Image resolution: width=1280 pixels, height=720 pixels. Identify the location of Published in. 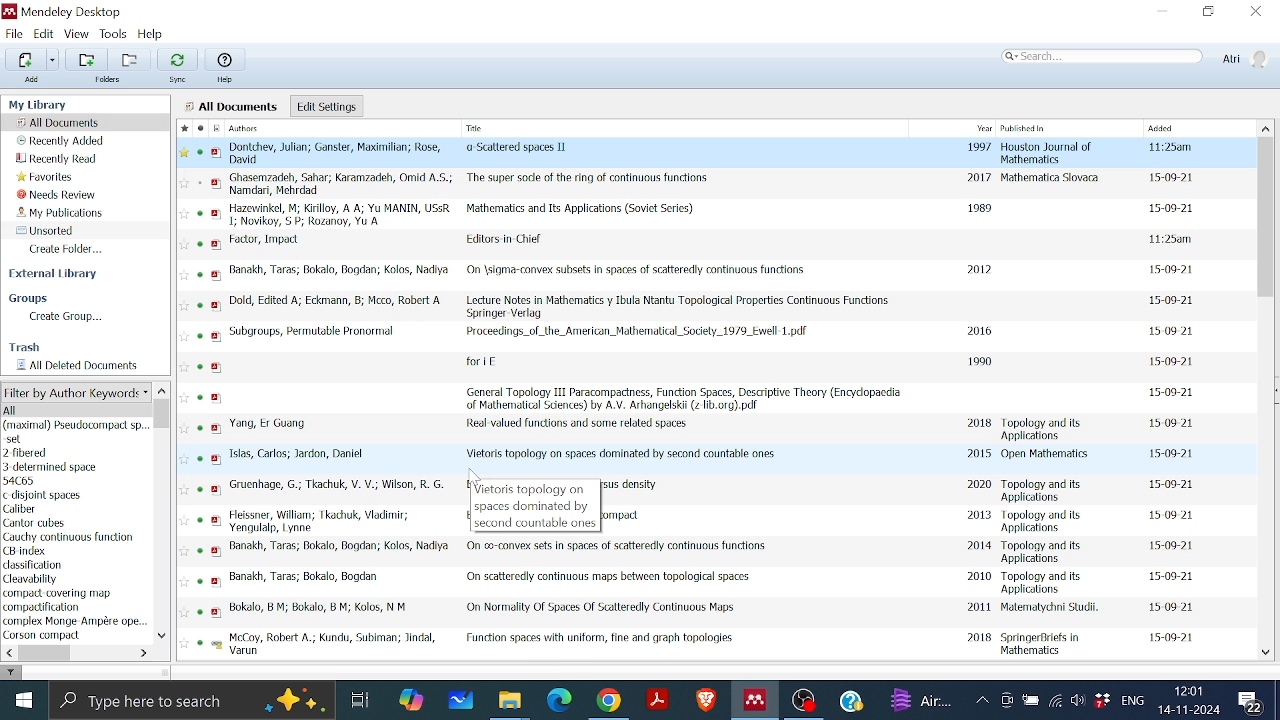
(1044, 153).